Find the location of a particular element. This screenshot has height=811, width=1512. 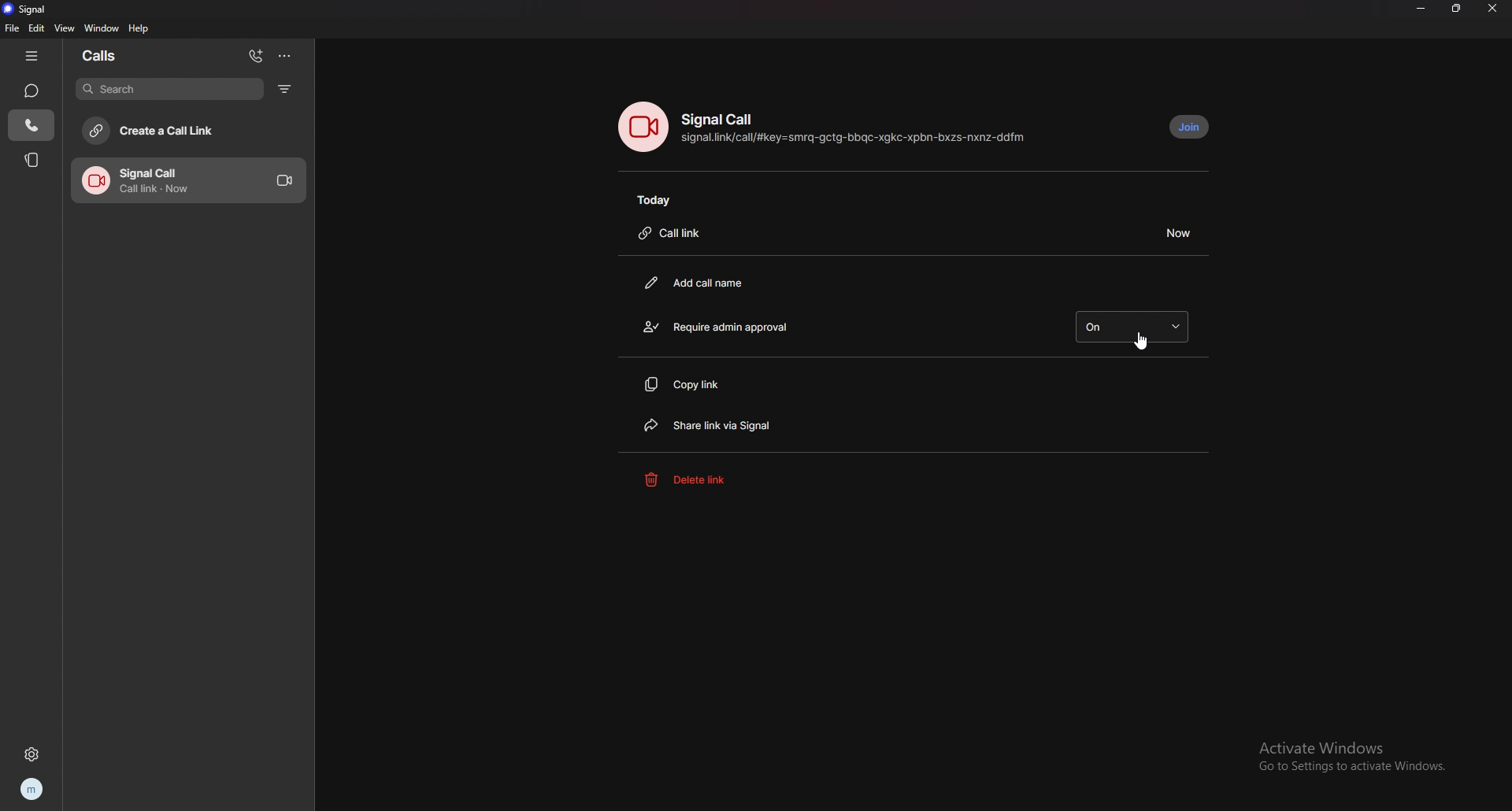

call link is located at coordinates (854, 138).